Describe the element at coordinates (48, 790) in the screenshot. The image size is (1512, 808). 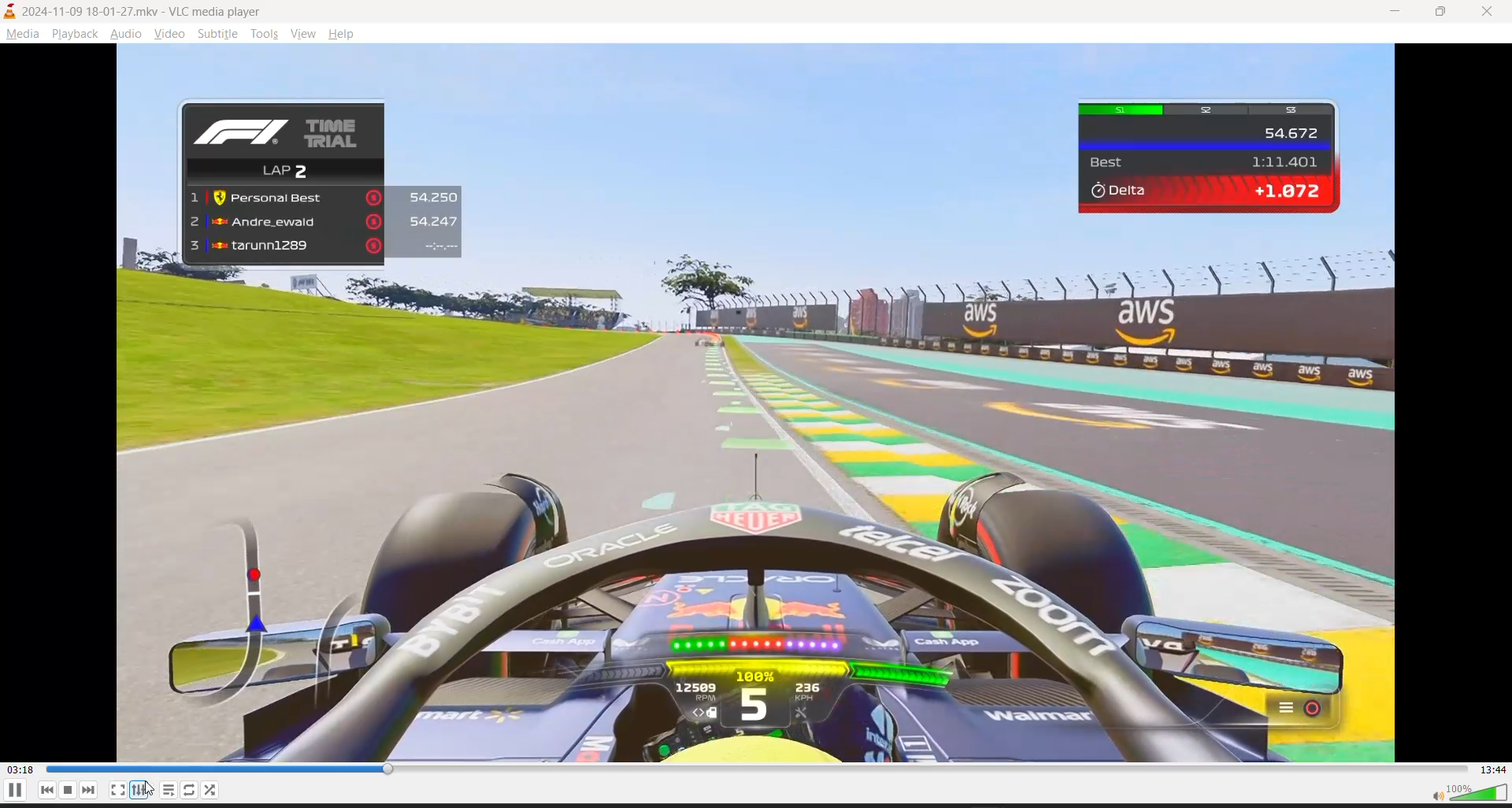
I see `previous` at that location.